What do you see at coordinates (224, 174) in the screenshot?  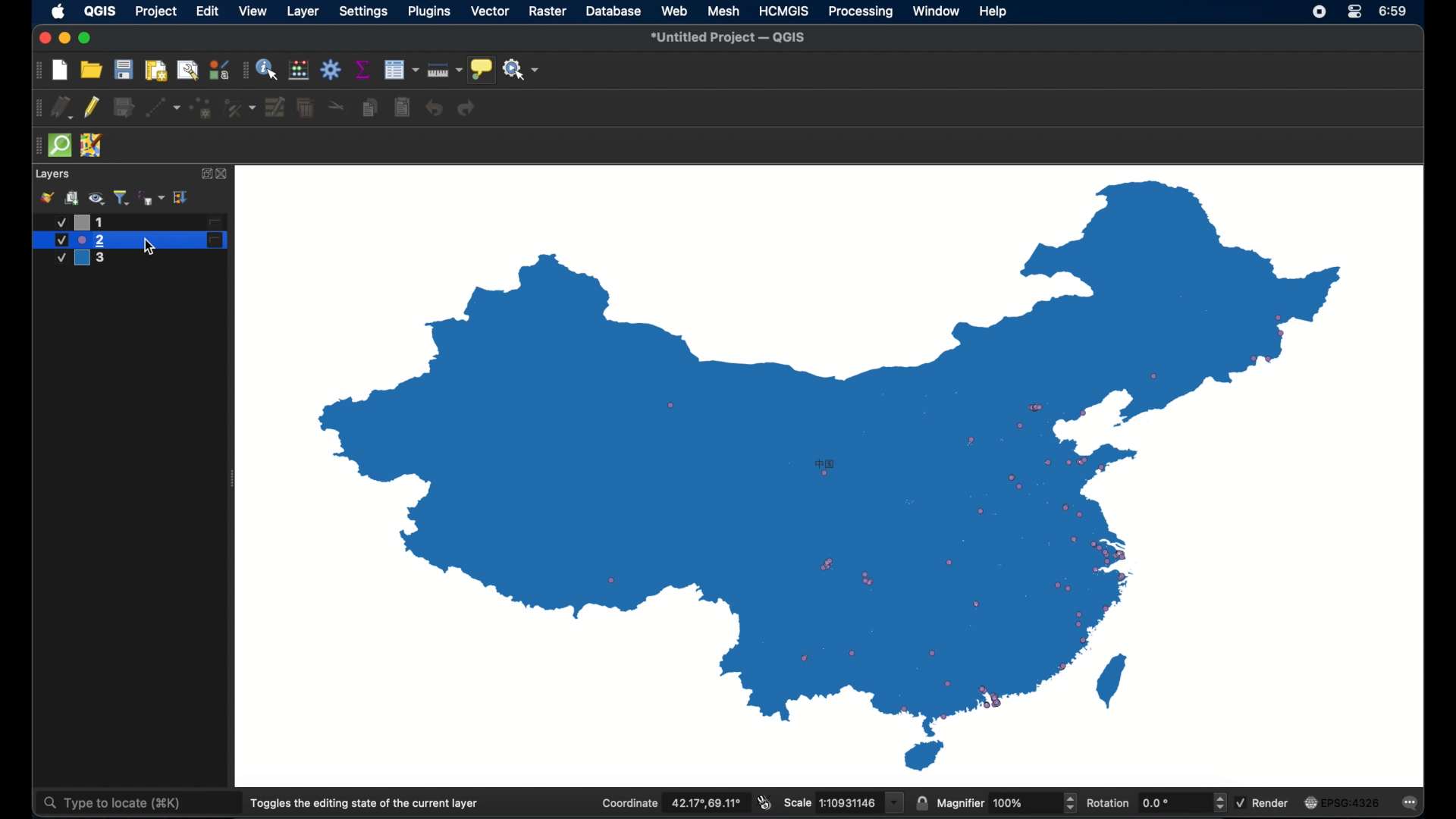 I see `close` at bounding box center [224, 174].